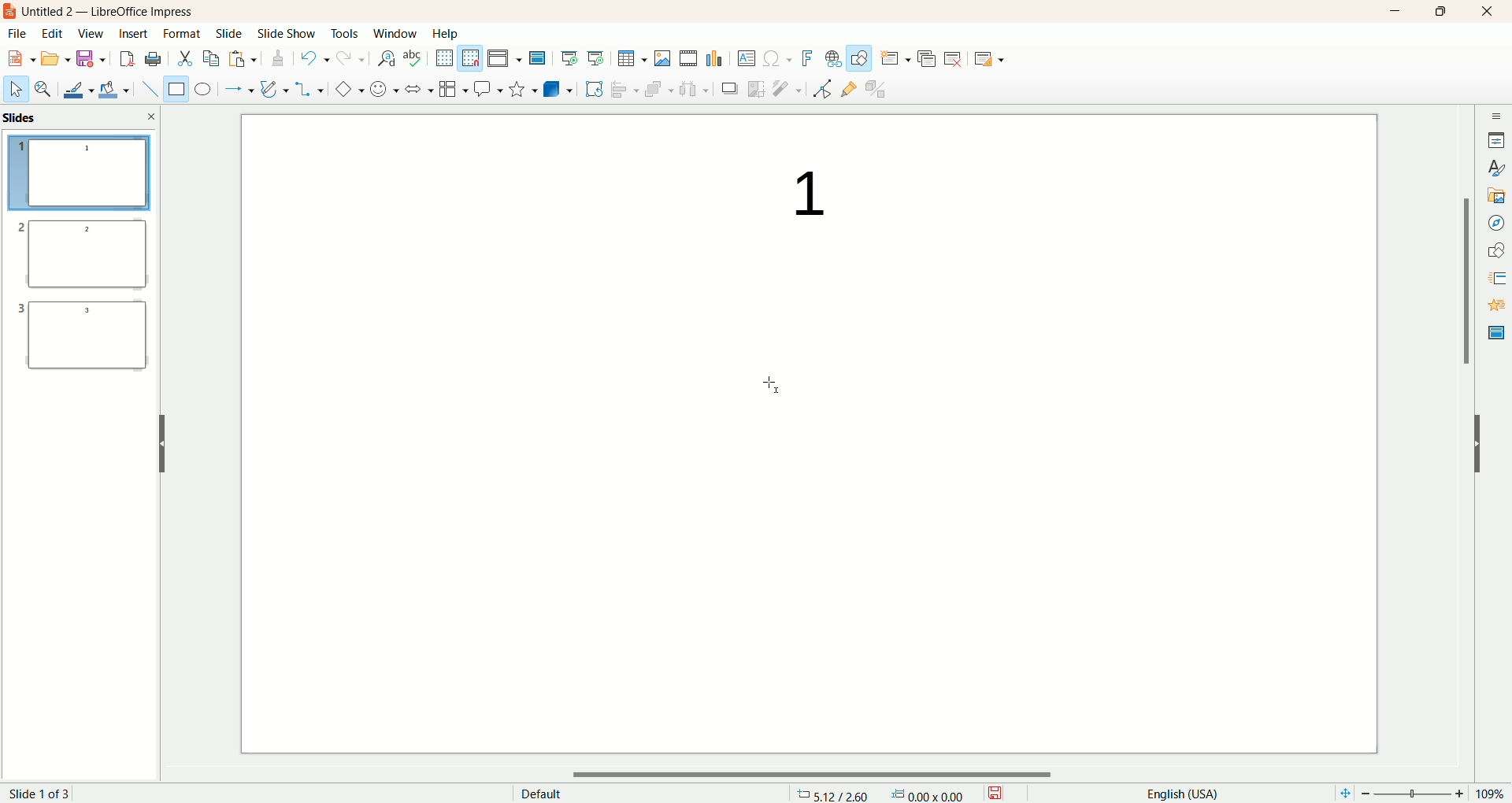 Image resolution: width=1512 pixels, height=803 pixels. I want to click on callout shapes, so click(486, 90).